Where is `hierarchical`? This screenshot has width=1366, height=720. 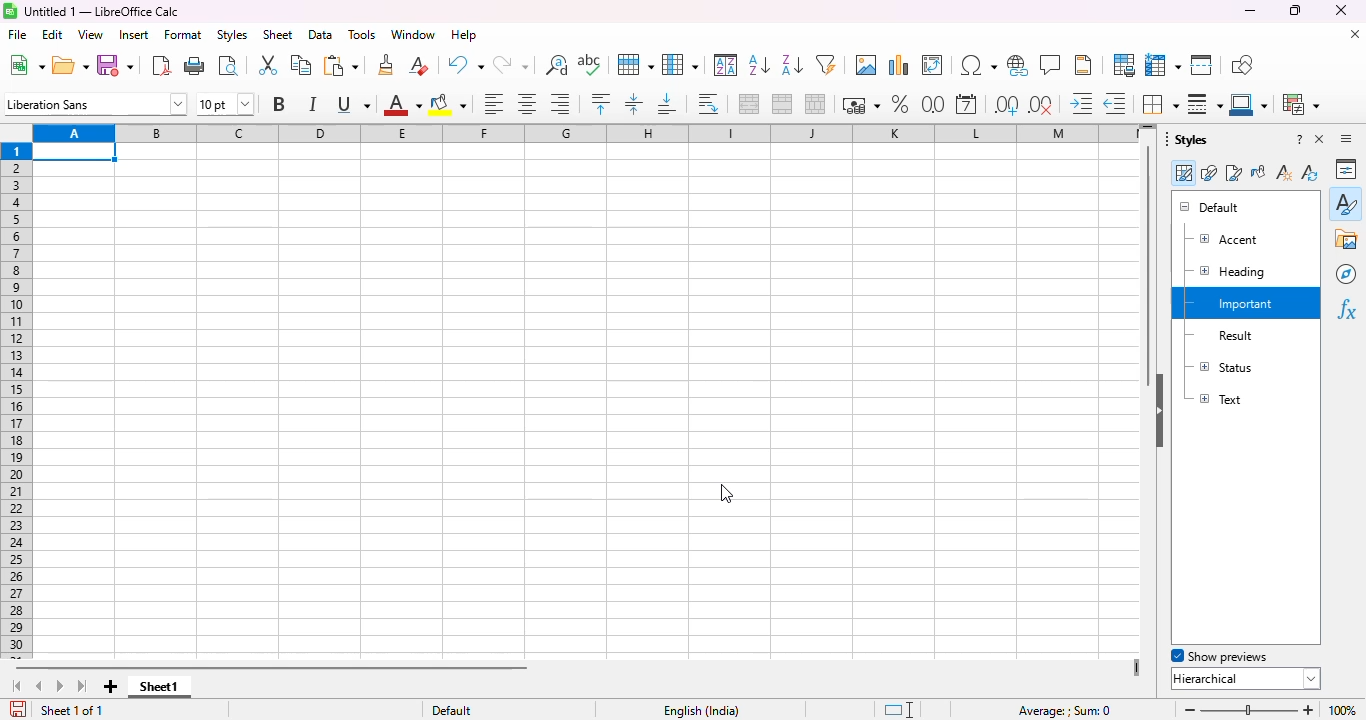 hierarchical is located at coordinates (1246, 678).